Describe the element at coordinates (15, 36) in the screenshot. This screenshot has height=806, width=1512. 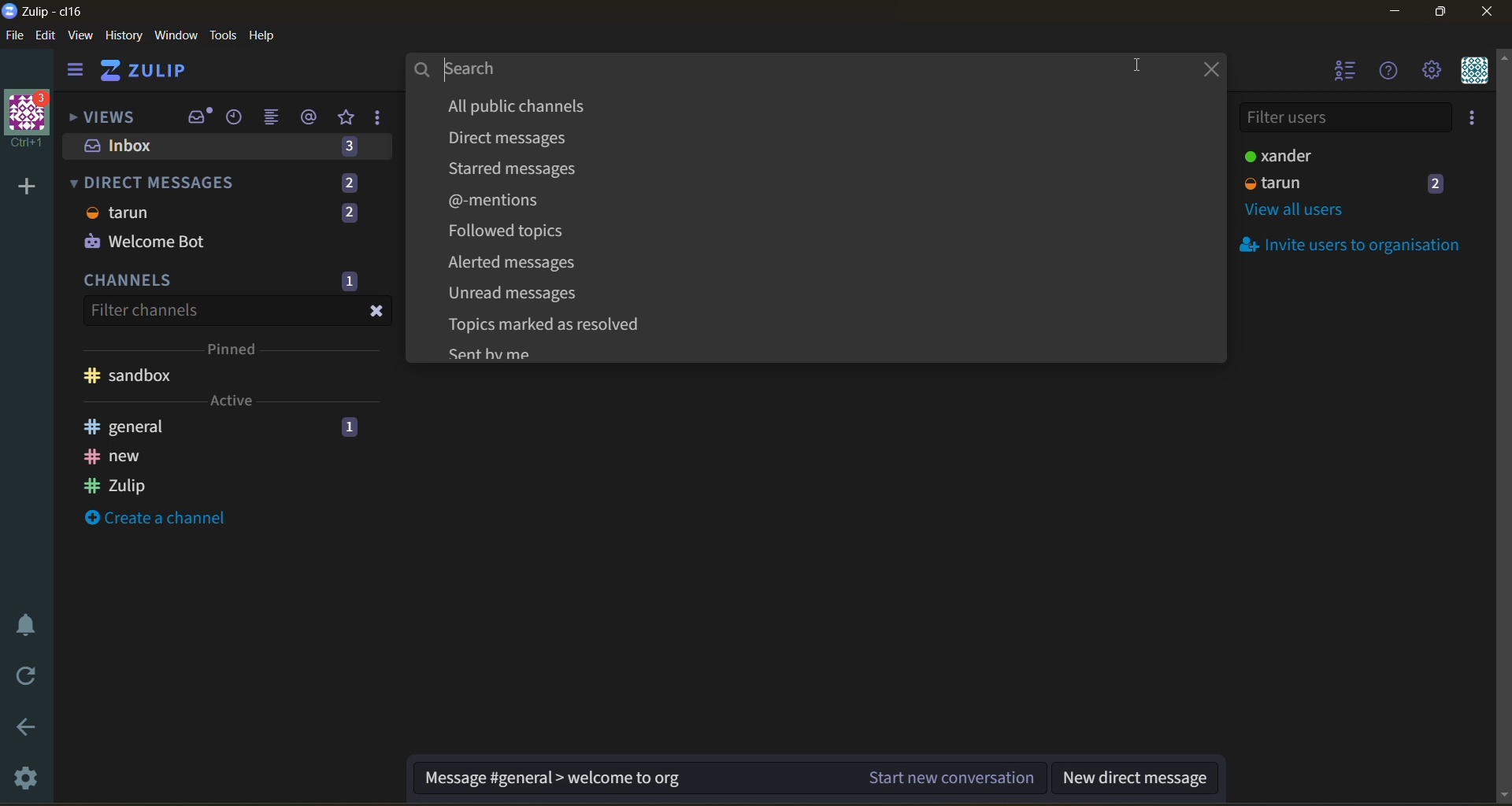
I see `file` at that location.